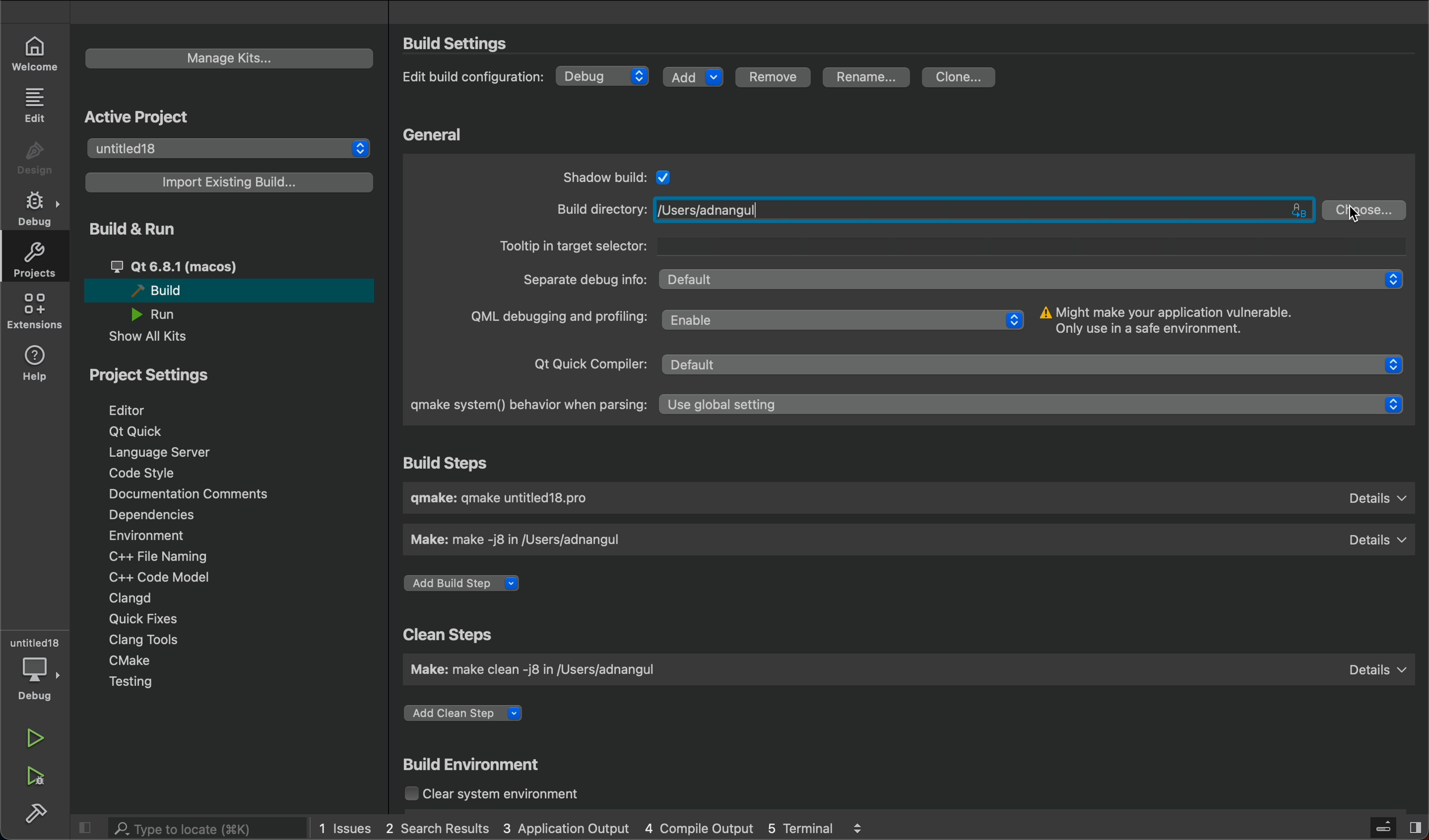 This screenshot has height=840, width=1429. Describe the element at coordinates (694, 75) in the screenshot. I see `Add ` at that location.